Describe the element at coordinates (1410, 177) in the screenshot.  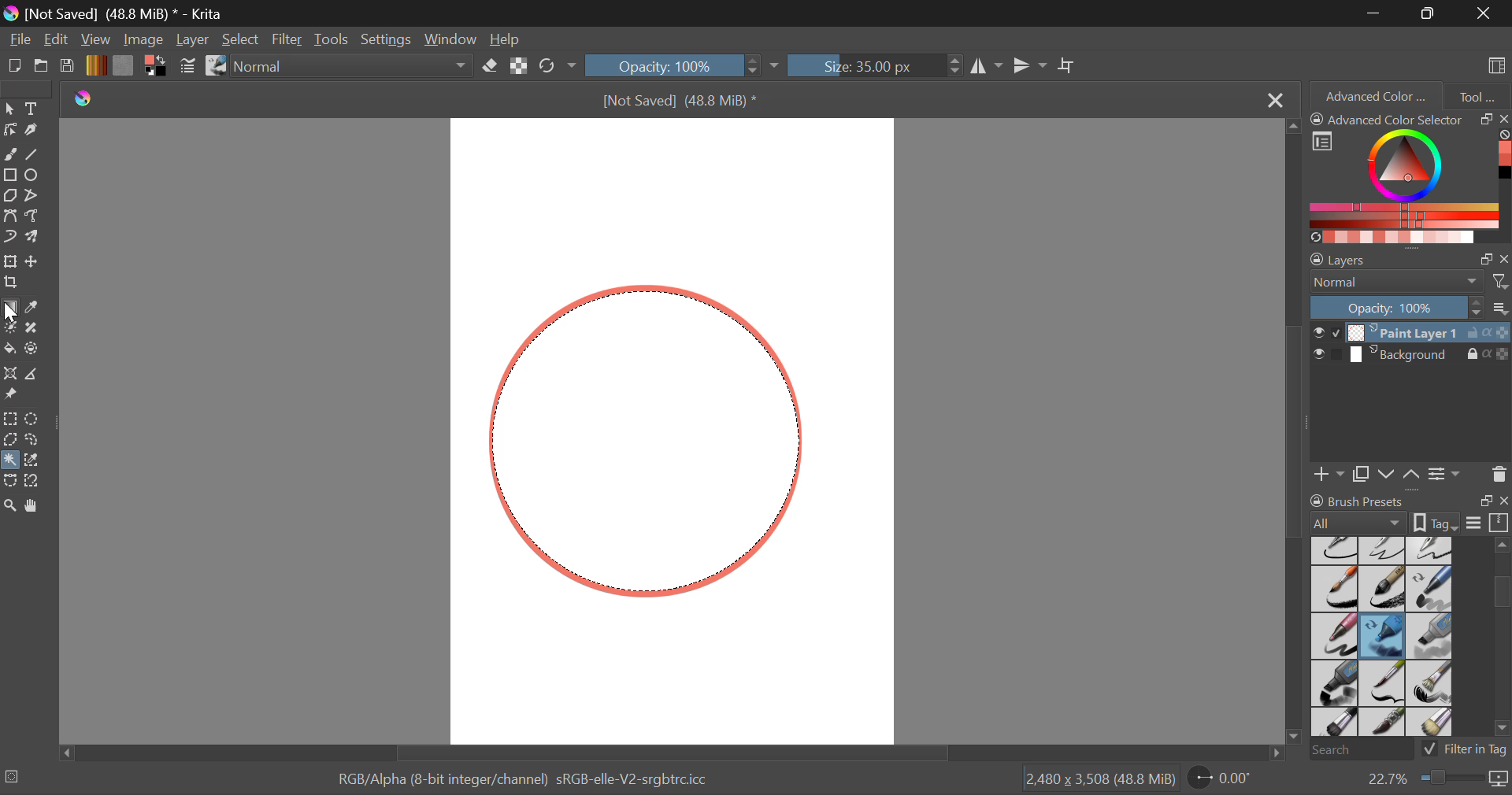
I see `Advanced Color Selector` at that location.